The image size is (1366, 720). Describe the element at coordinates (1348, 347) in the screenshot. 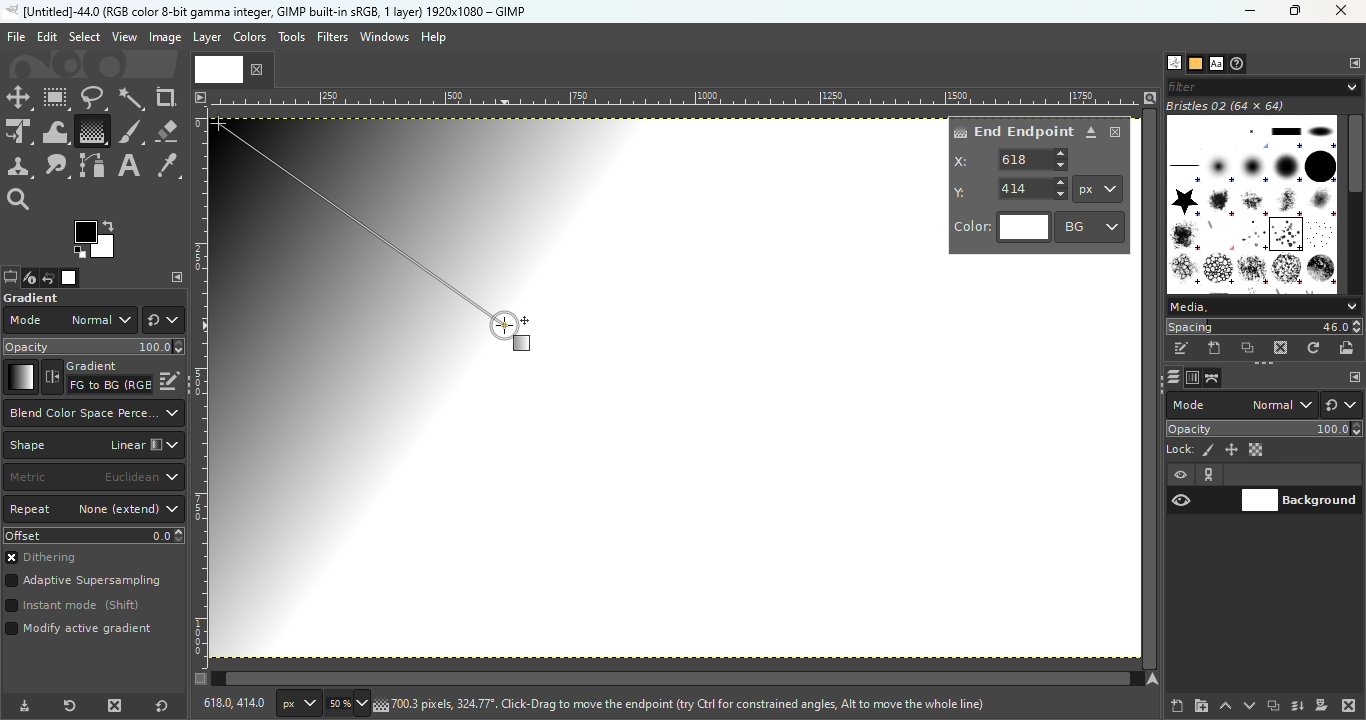

I see `Open brush as image` at that location.